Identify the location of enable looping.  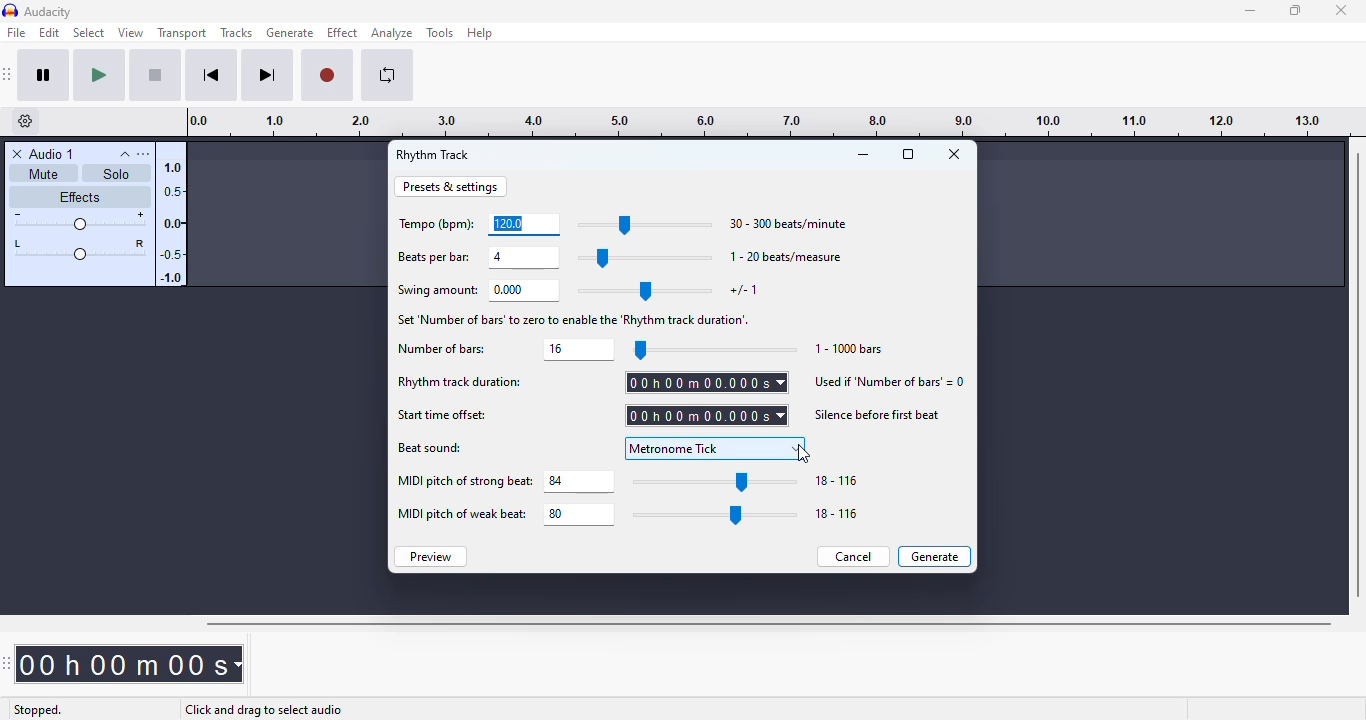
(388, 75).